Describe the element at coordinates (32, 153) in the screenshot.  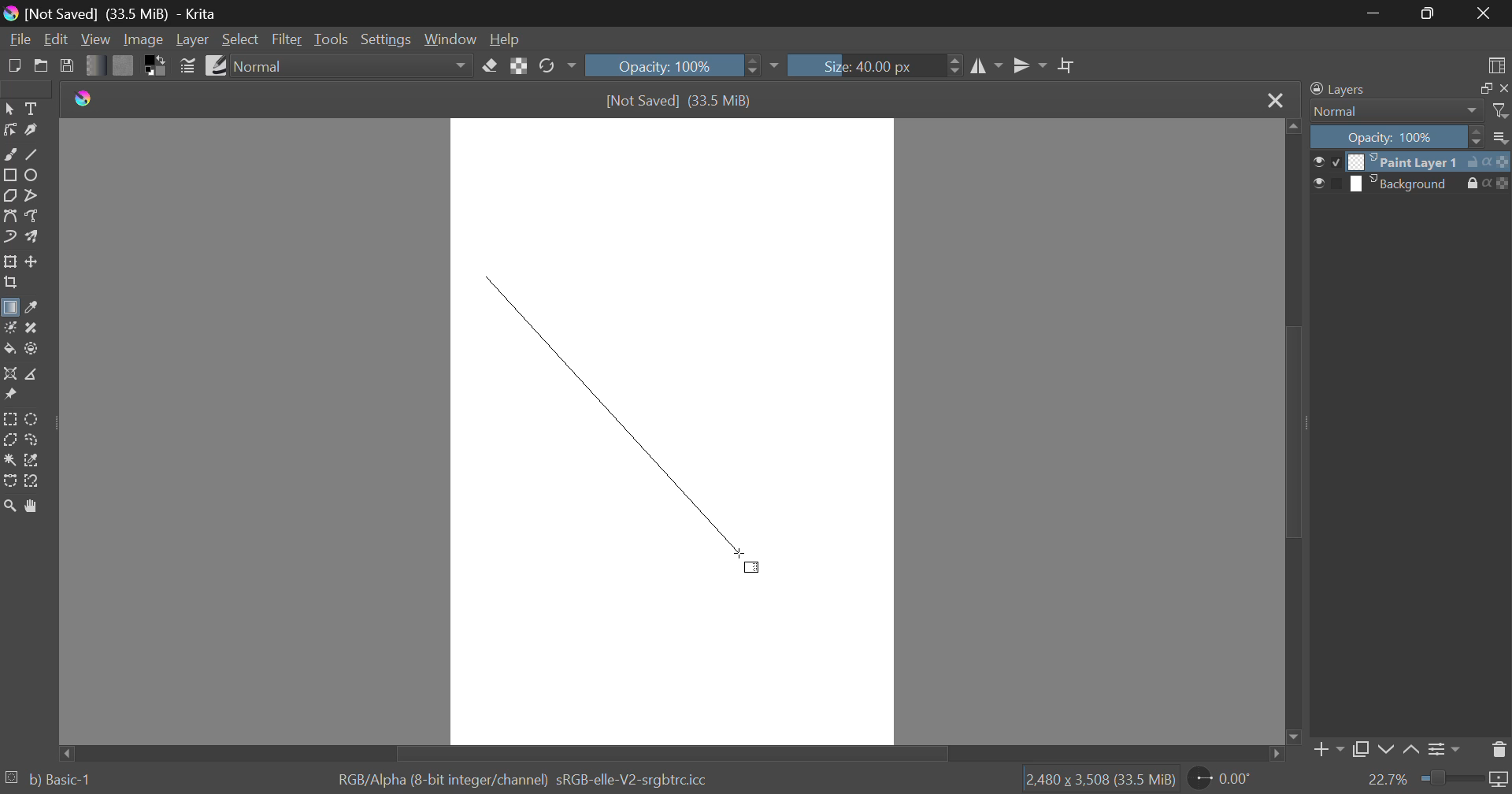
I see `Line` at that location.